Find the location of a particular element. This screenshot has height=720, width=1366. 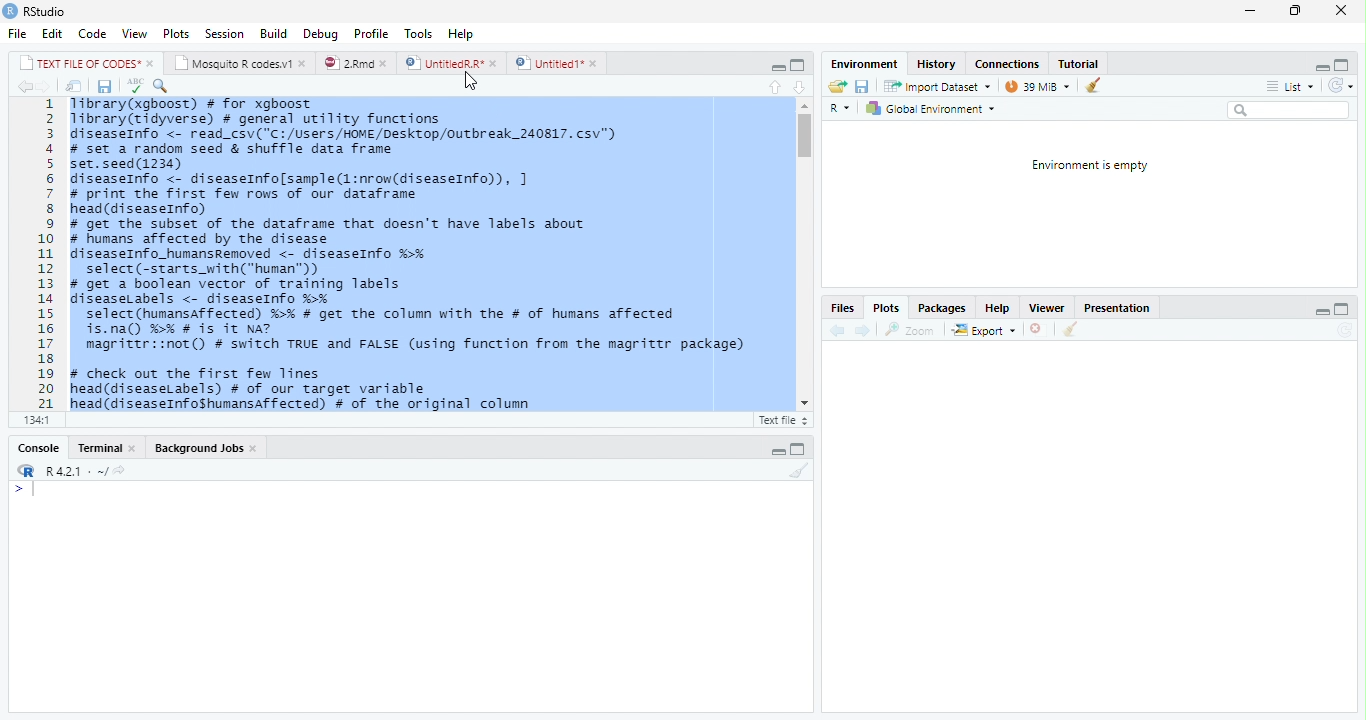

Previous is located at coordinates (23, 87).